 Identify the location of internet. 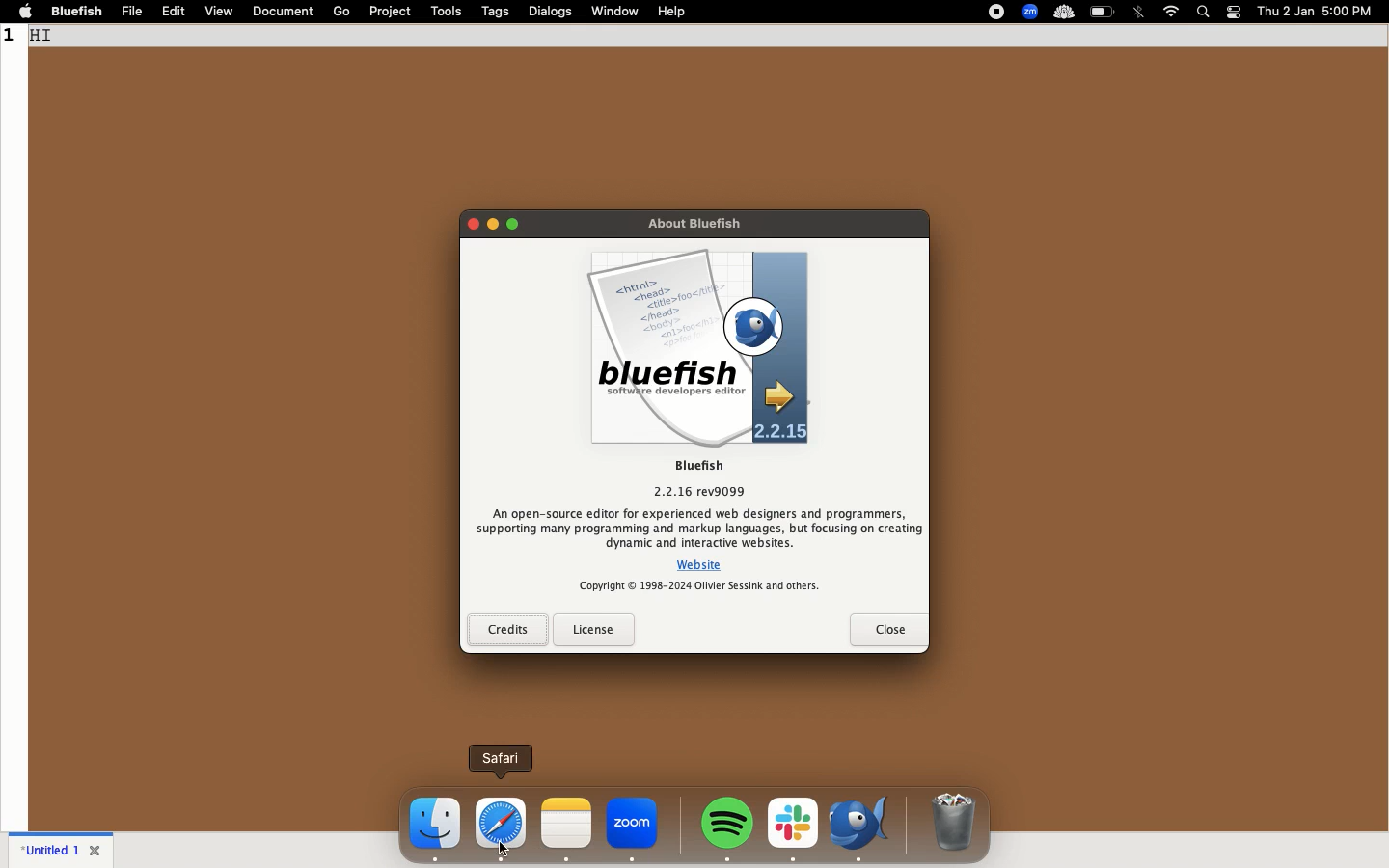
(1172, 12).